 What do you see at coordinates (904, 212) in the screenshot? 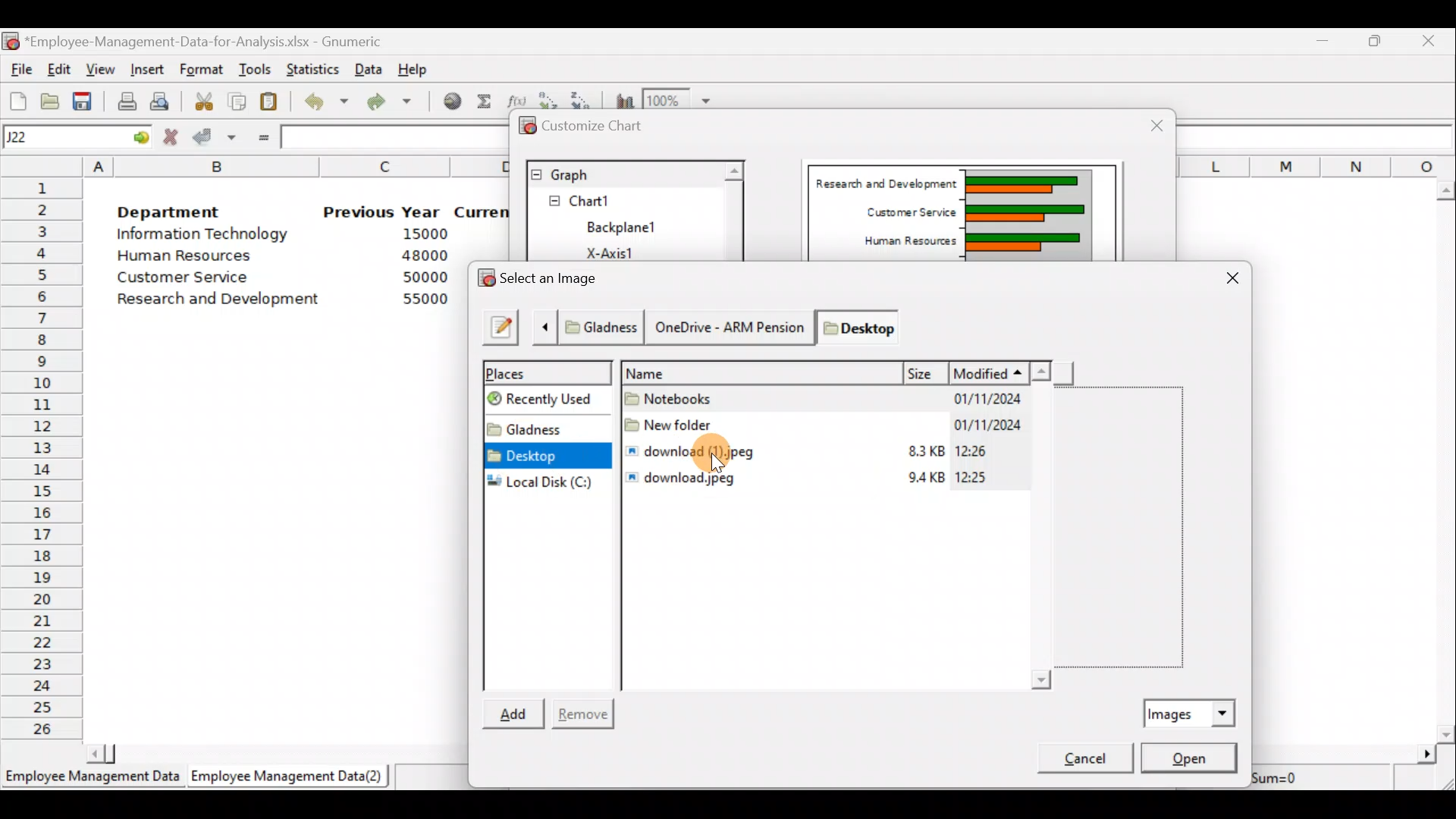
I see `Customer Service` at bounding box center [904, 212].